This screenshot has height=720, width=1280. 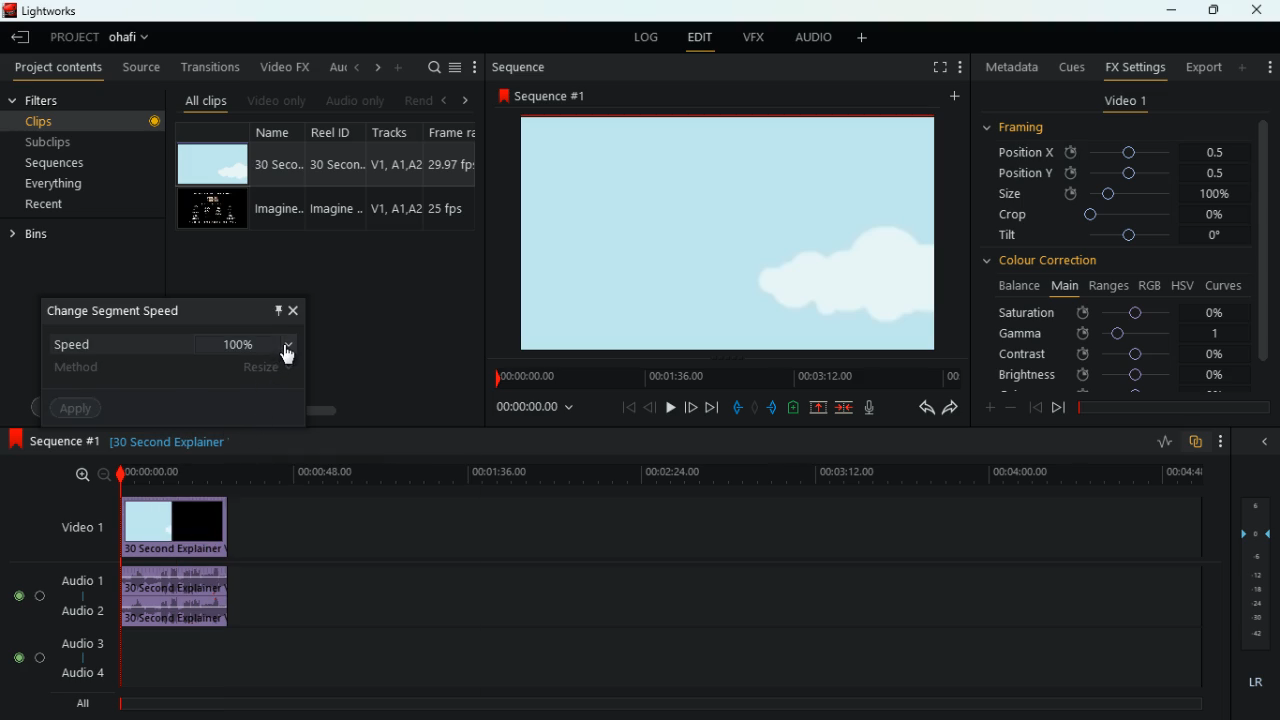 I want to click on fx settings, so click(x=1133, y=67).